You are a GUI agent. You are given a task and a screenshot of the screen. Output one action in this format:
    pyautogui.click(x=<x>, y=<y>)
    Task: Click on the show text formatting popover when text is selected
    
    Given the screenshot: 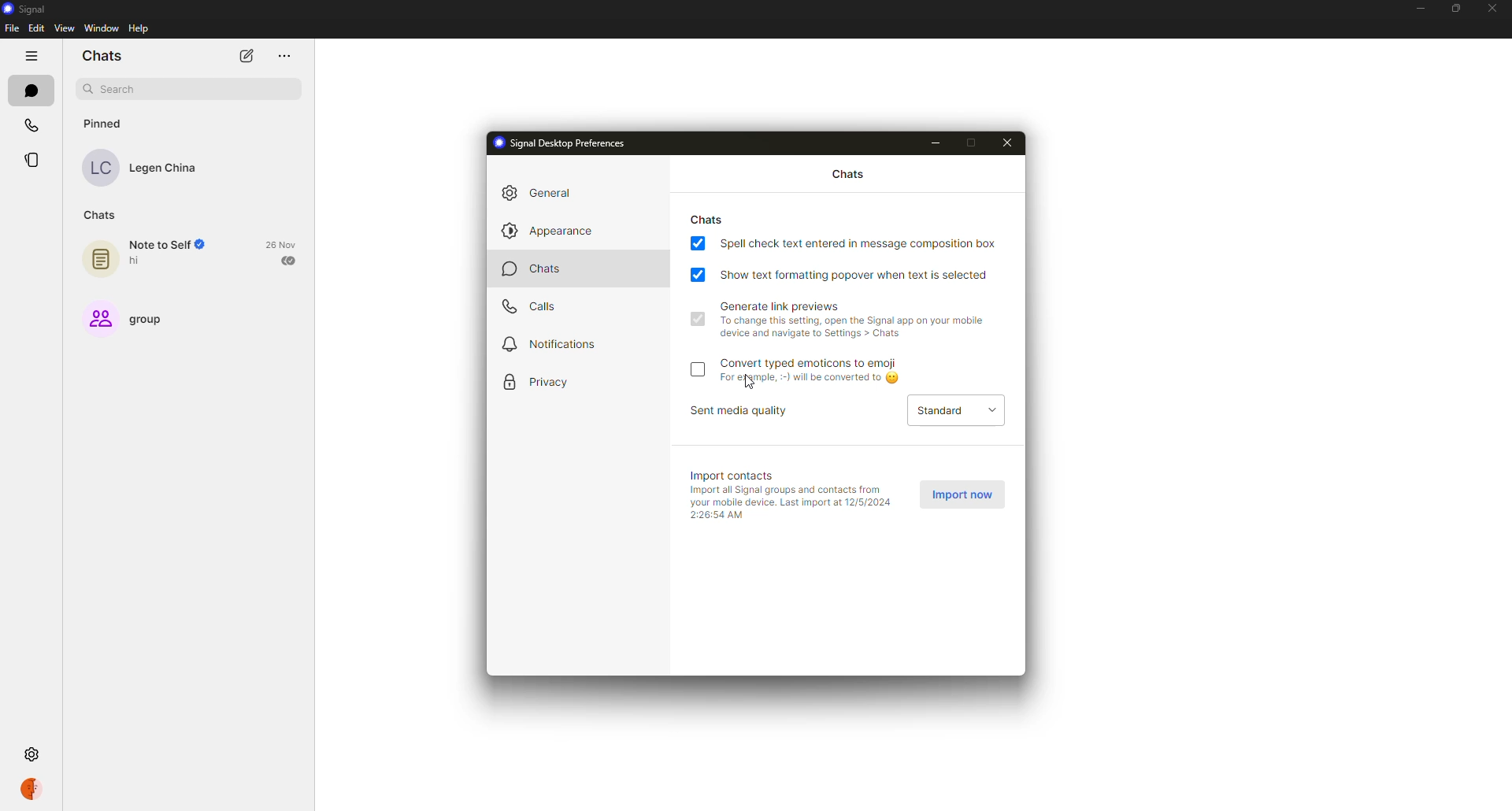 What is the action you would take?
    pyautogui.click(x=858, y=275)
    